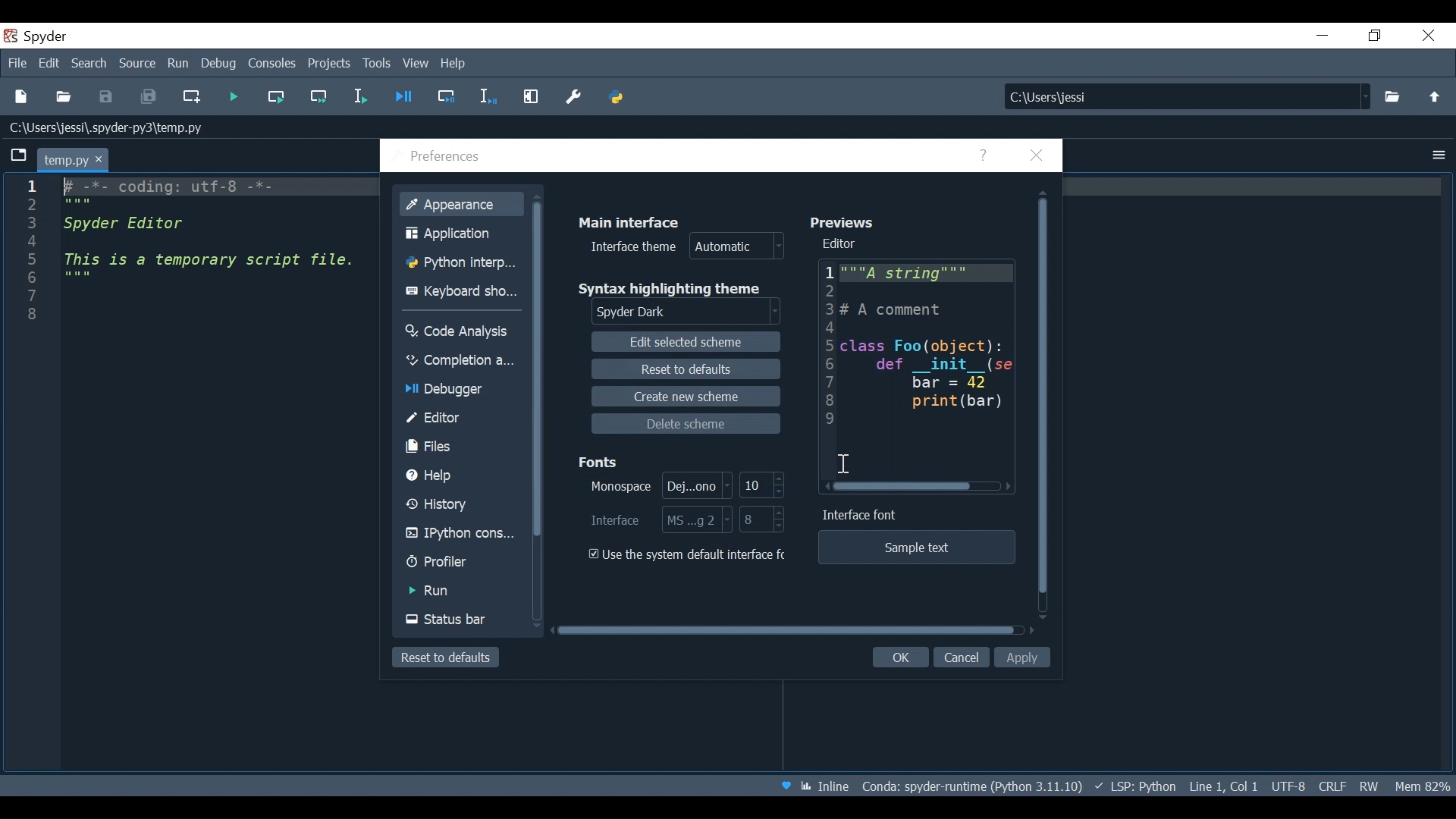  What do you see at coordinates (1322, 36) in the screenshot?
I see `Minimize` at bounding box center [1322, 36].